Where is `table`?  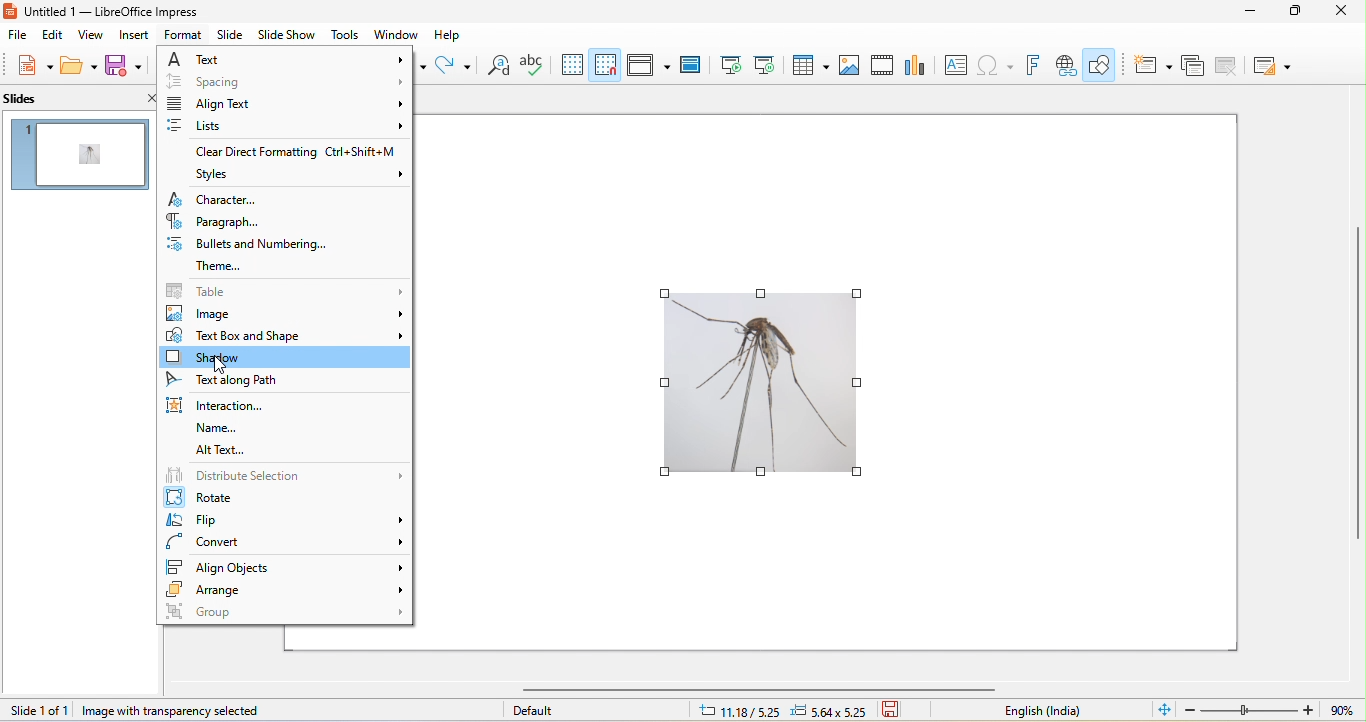 table is located at coordinates (288, 291).